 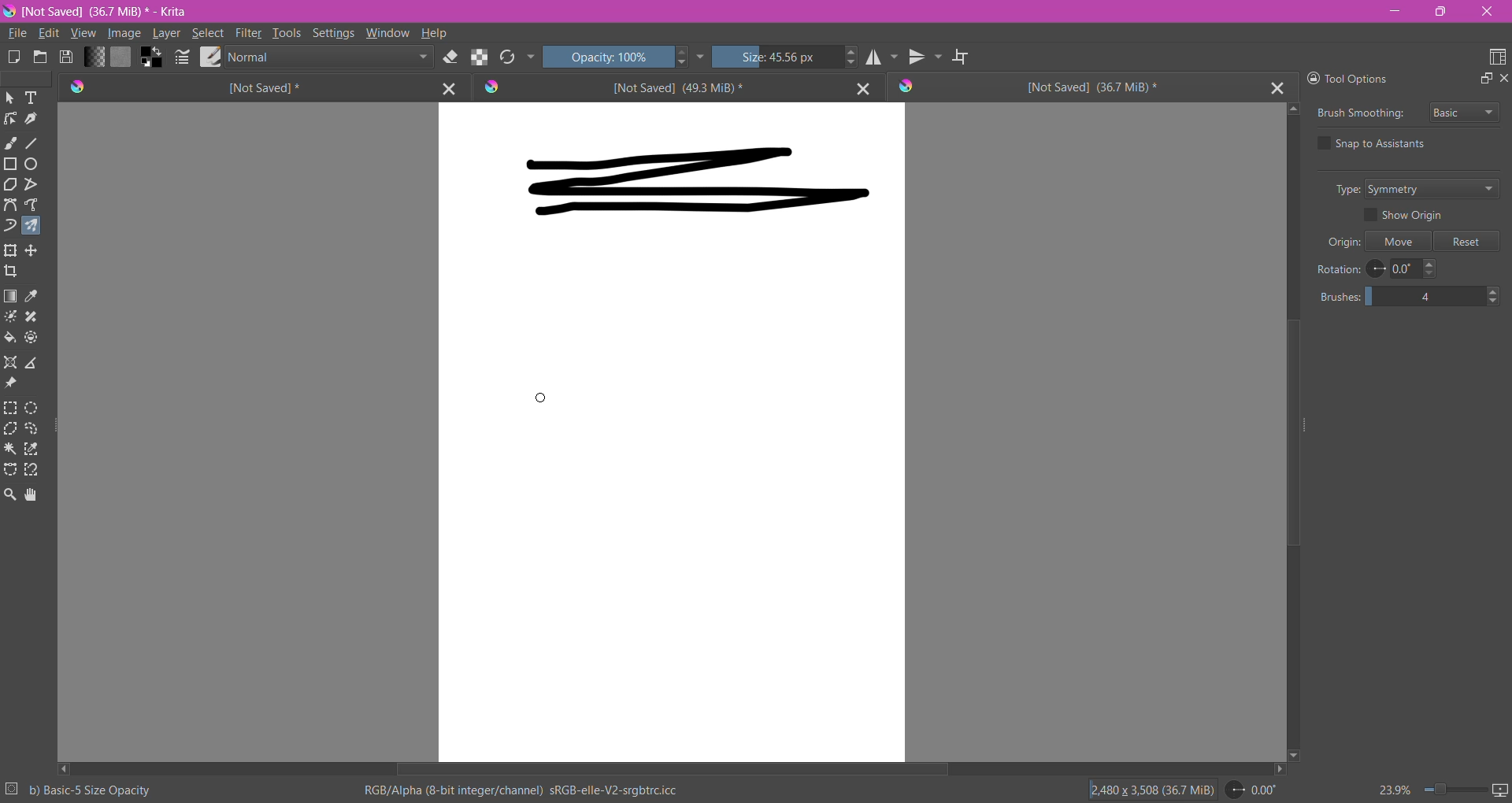 I want to click on Origin, so click(x=1339, y=243).